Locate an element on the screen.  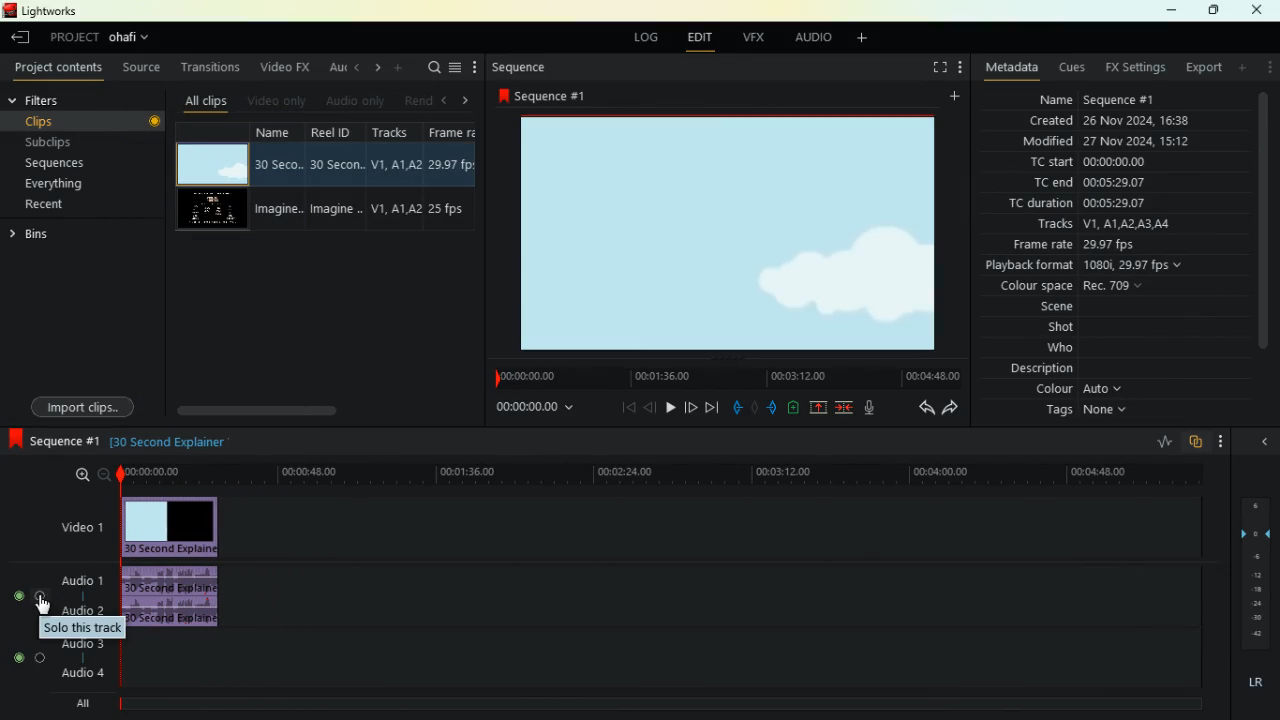
audio 1 and audio 2 timeline track is located at coordinates (716, 597).